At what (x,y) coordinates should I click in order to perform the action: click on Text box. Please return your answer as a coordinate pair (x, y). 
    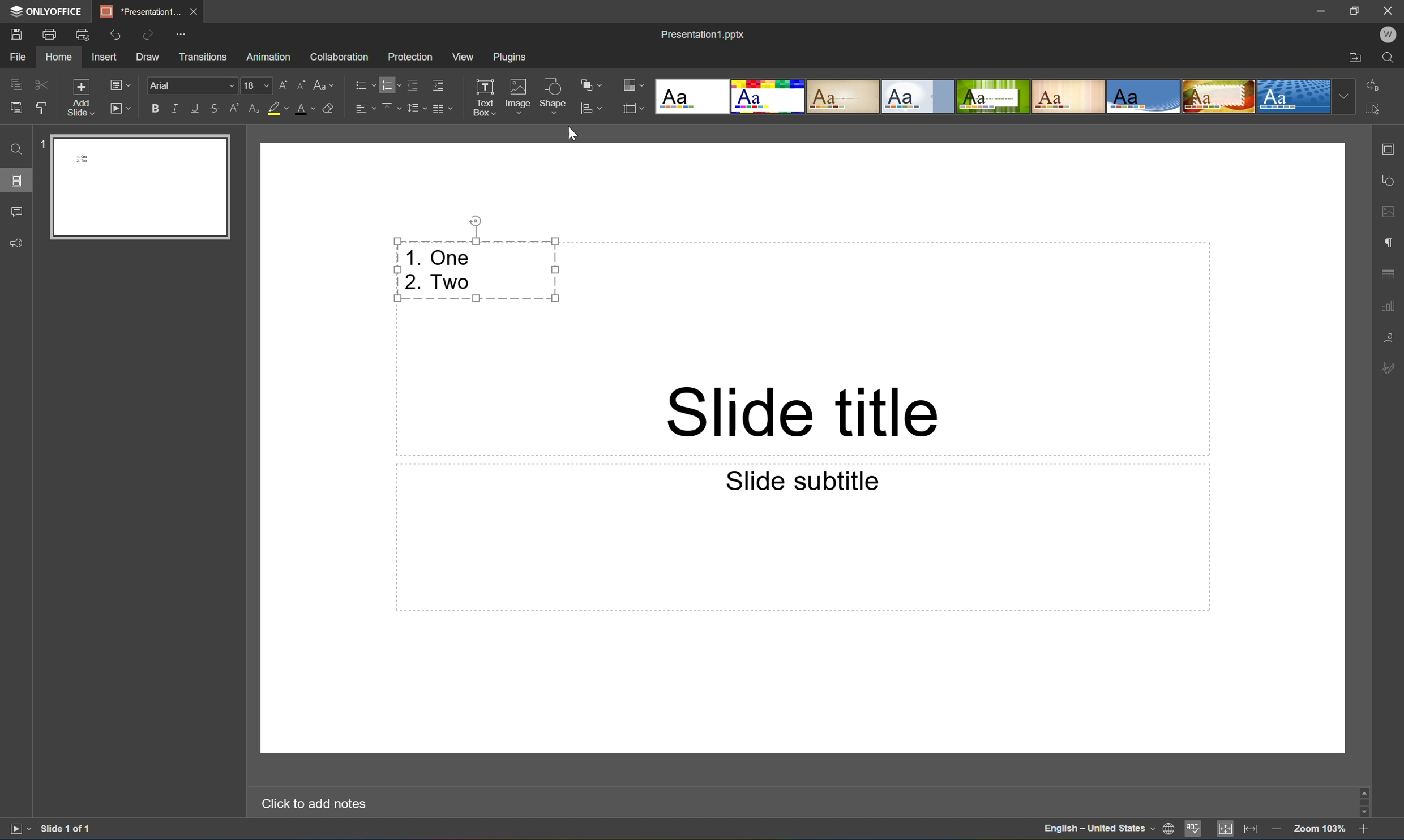
    Looking at the image, I should click on (483, 97).